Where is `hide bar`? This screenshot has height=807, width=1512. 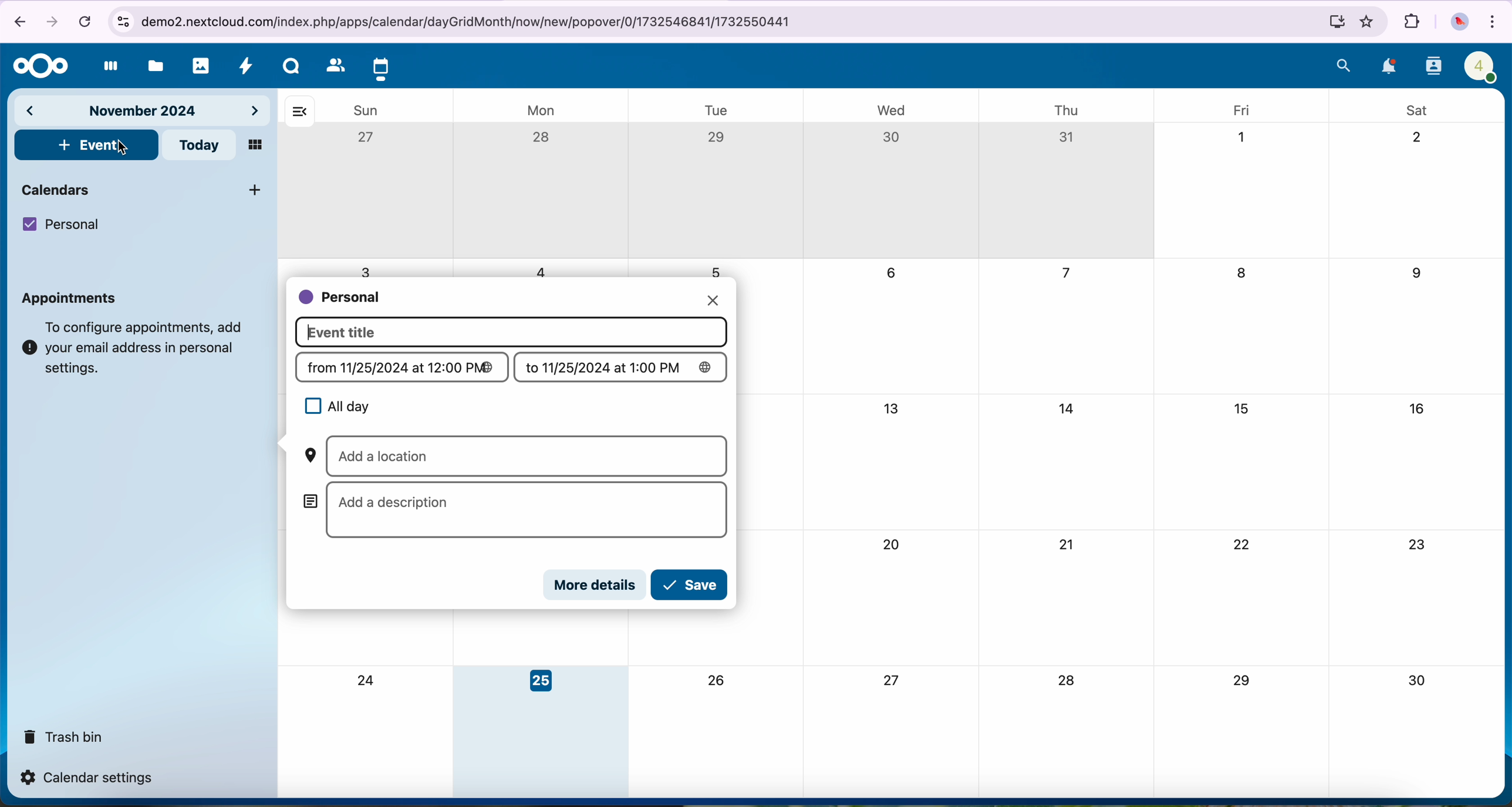 hide bar is located at coordinates (299, 112).